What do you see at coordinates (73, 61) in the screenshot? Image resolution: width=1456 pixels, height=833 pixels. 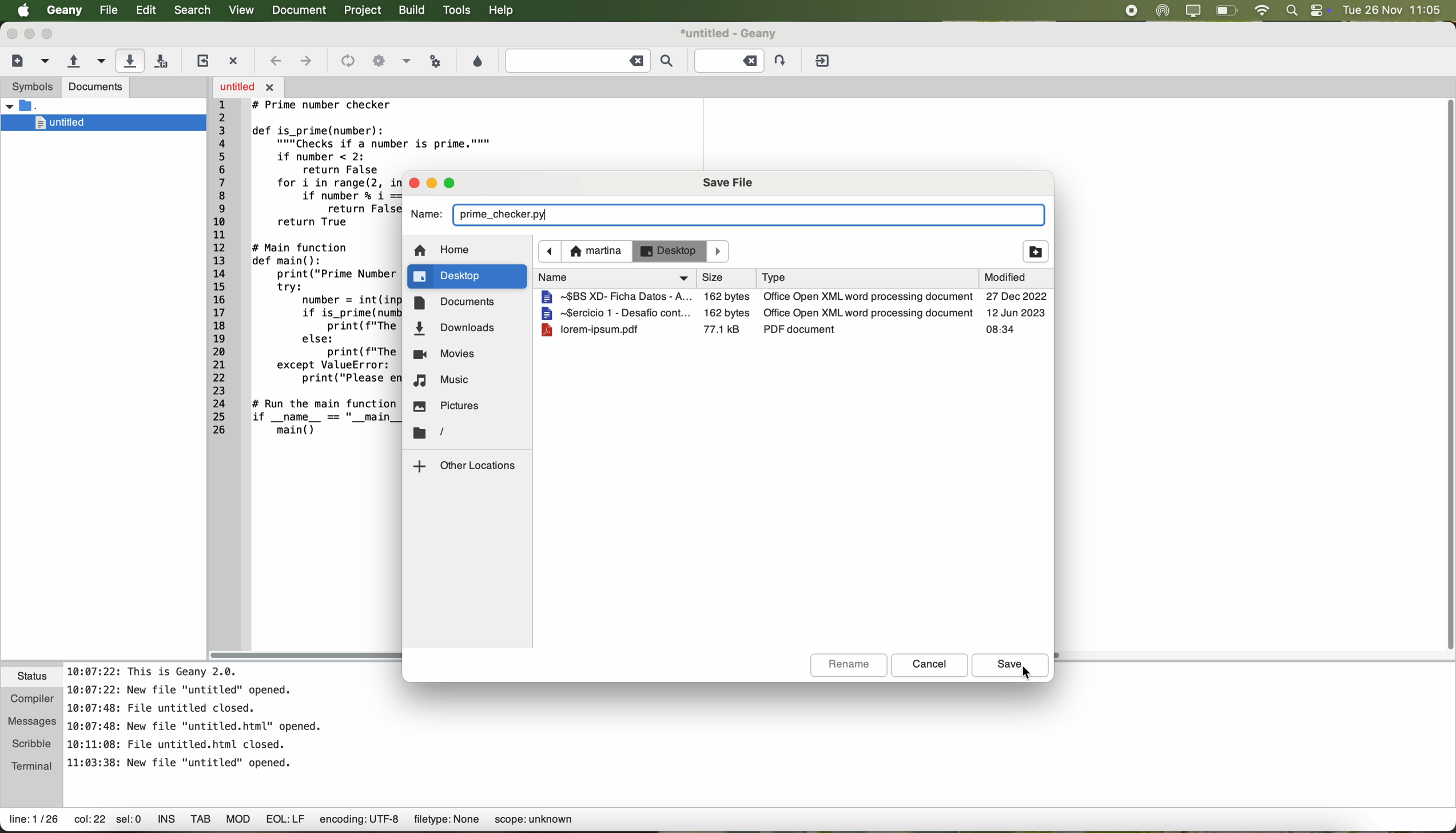 I see `open an existing file` at bounding box center [73, 61].